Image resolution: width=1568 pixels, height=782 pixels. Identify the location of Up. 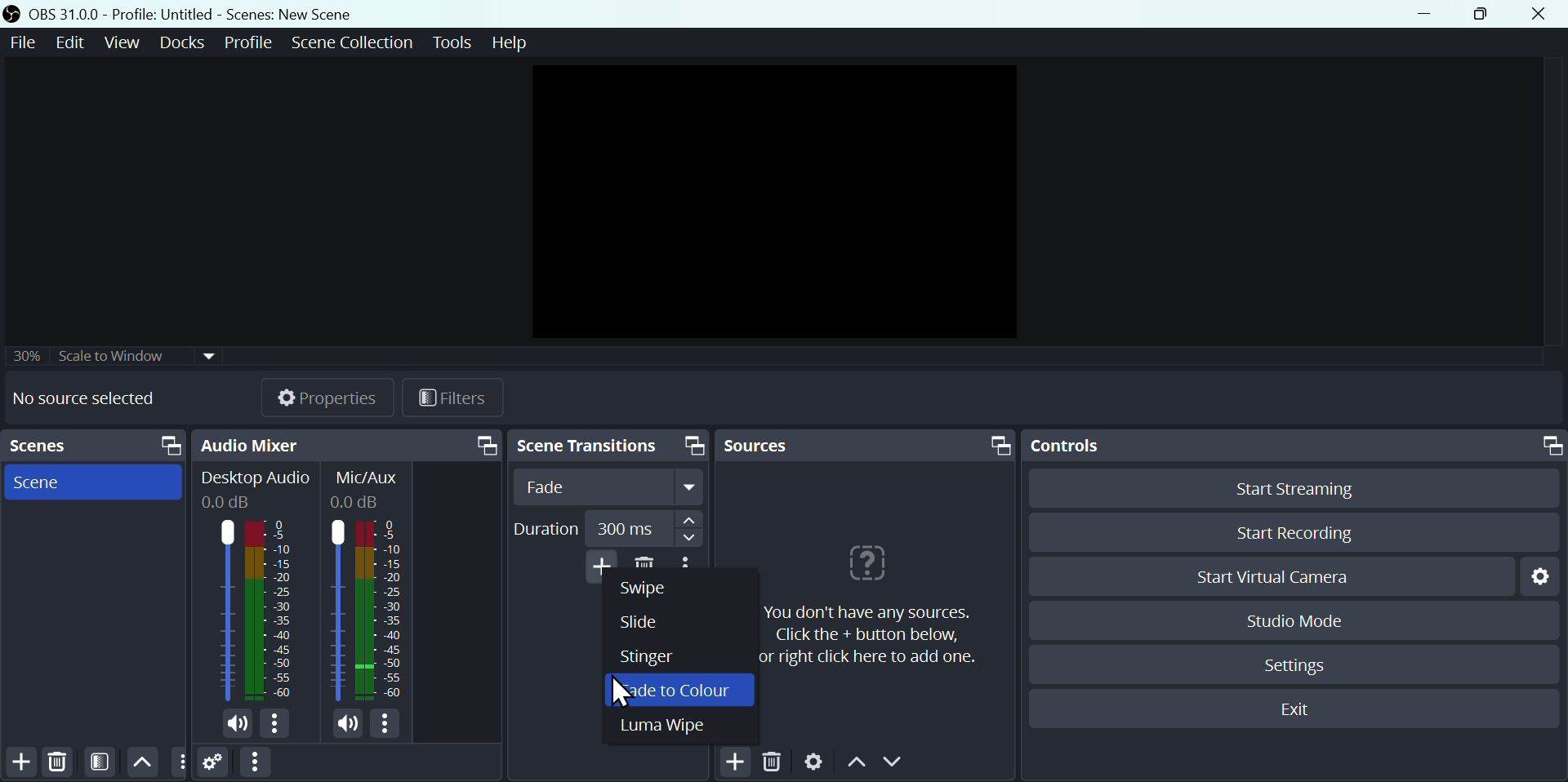
(143, 761).